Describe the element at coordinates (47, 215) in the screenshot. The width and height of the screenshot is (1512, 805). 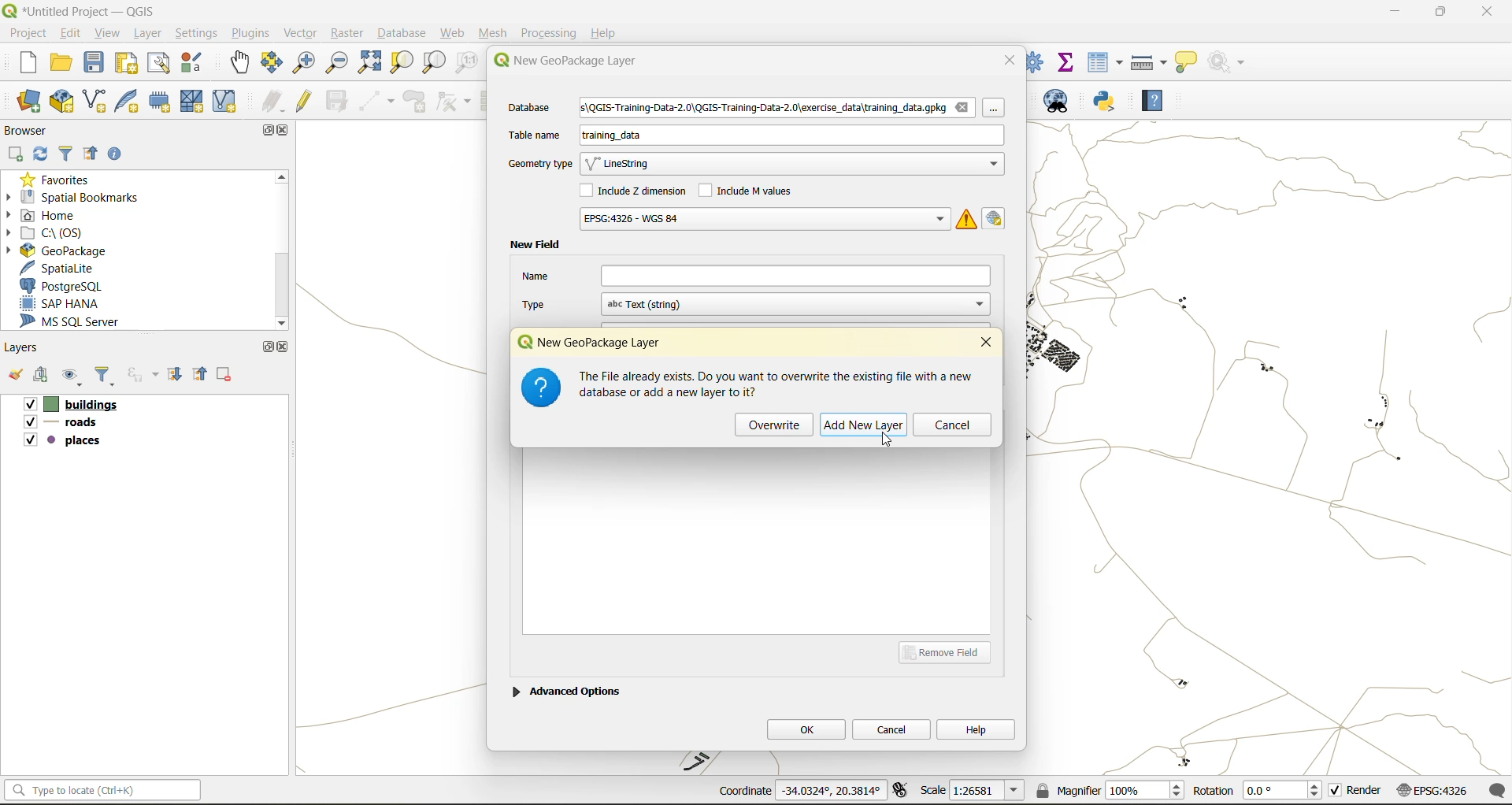
I see `home` at that location.